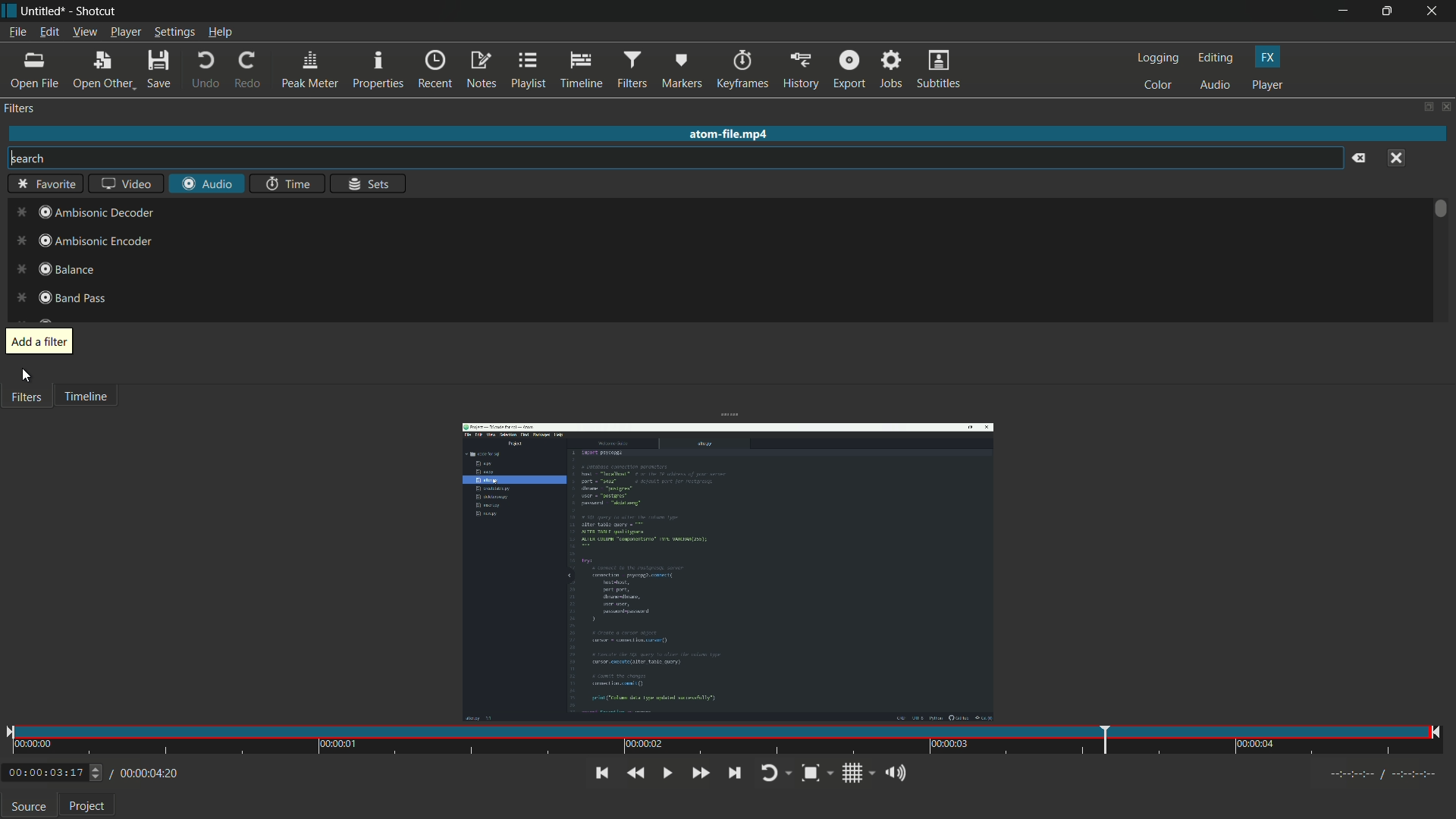 This screenshot has width=1456, height=819. Describe the element at coordinates (369, 184) in the screenshot. I see `sets` at that location.